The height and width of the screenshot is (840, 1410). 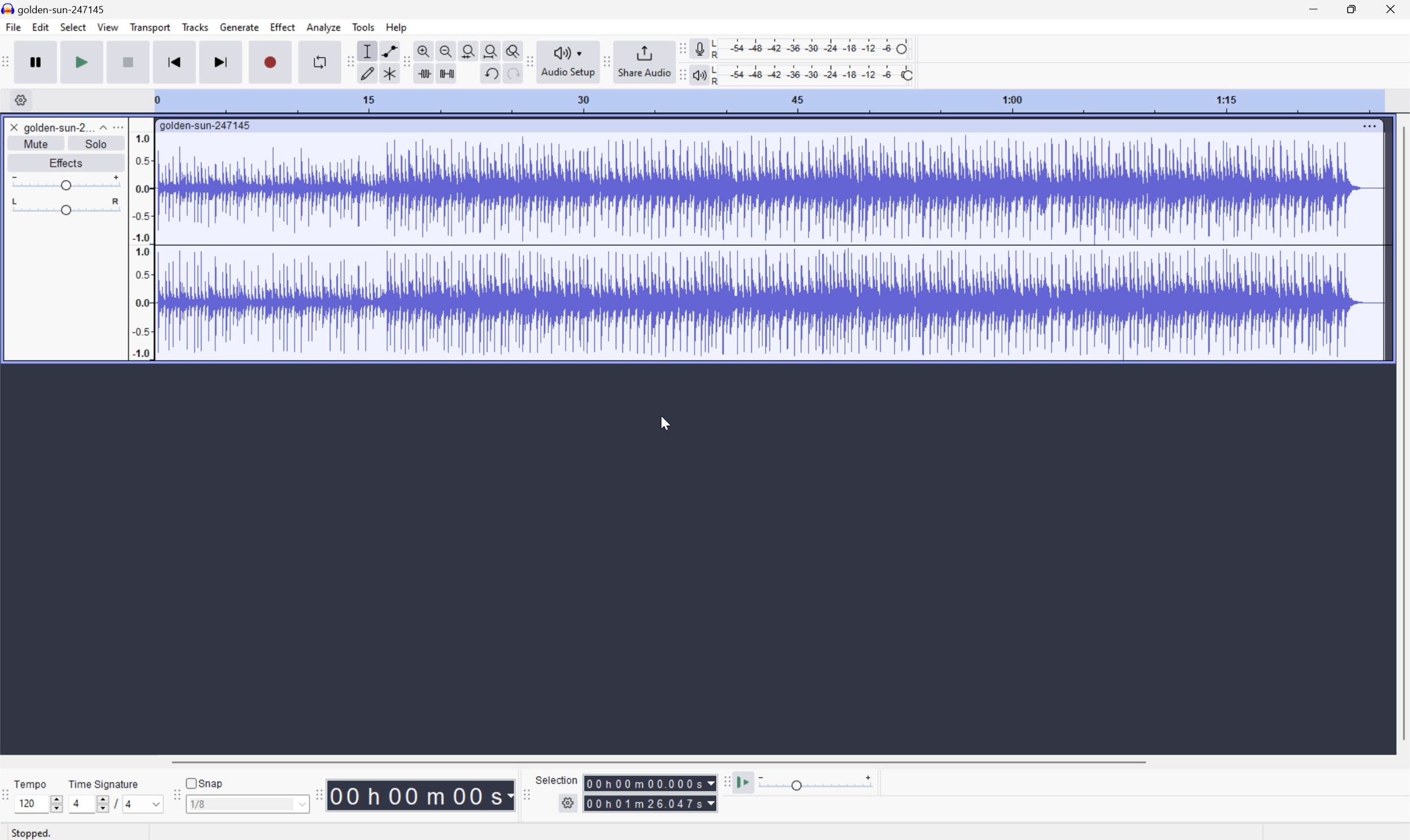 I want to click on Envelop tool, so click(x=387, y=50).